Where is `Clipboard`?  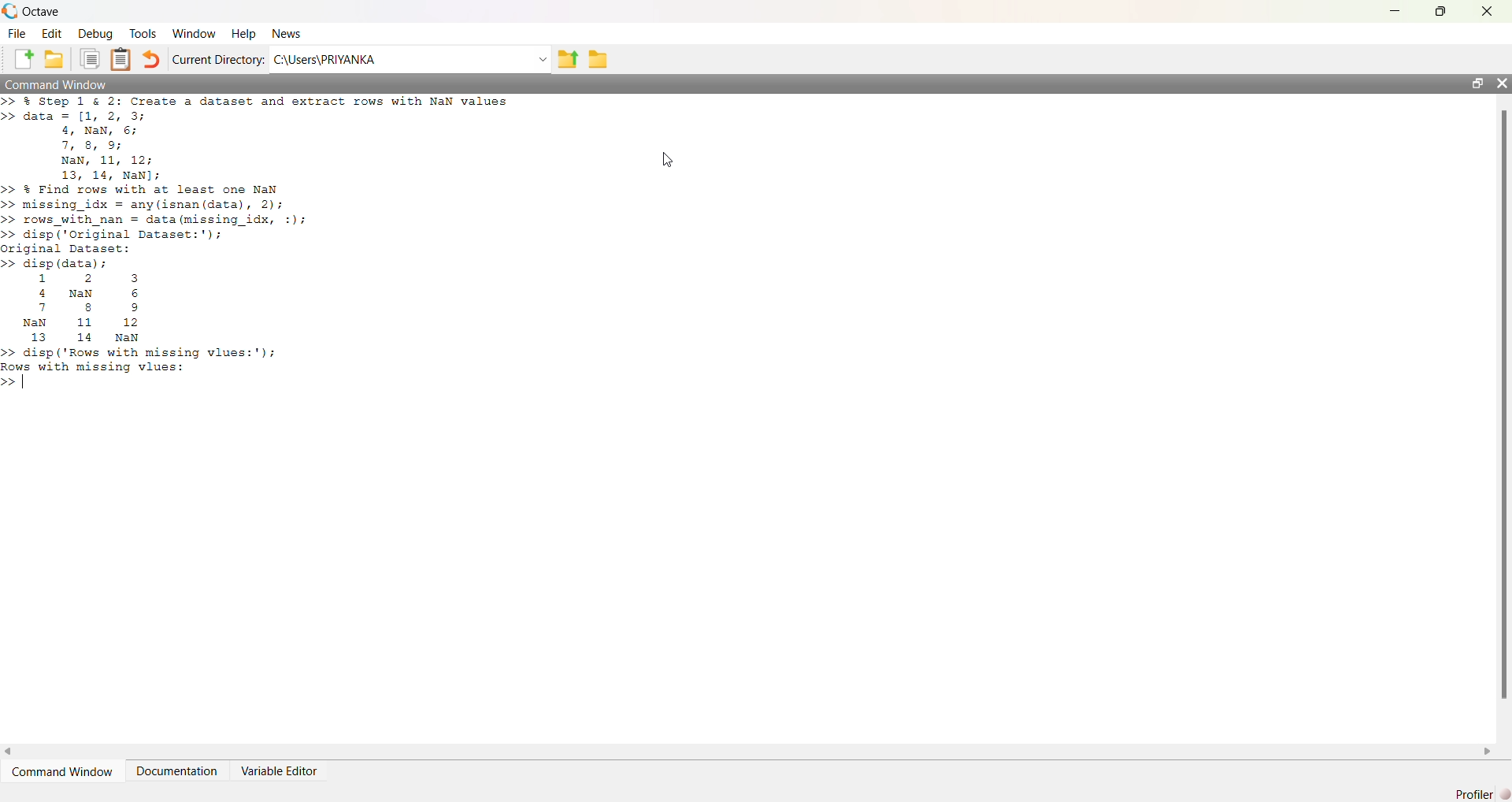
Clipboard is located at coordinates (120, 59).